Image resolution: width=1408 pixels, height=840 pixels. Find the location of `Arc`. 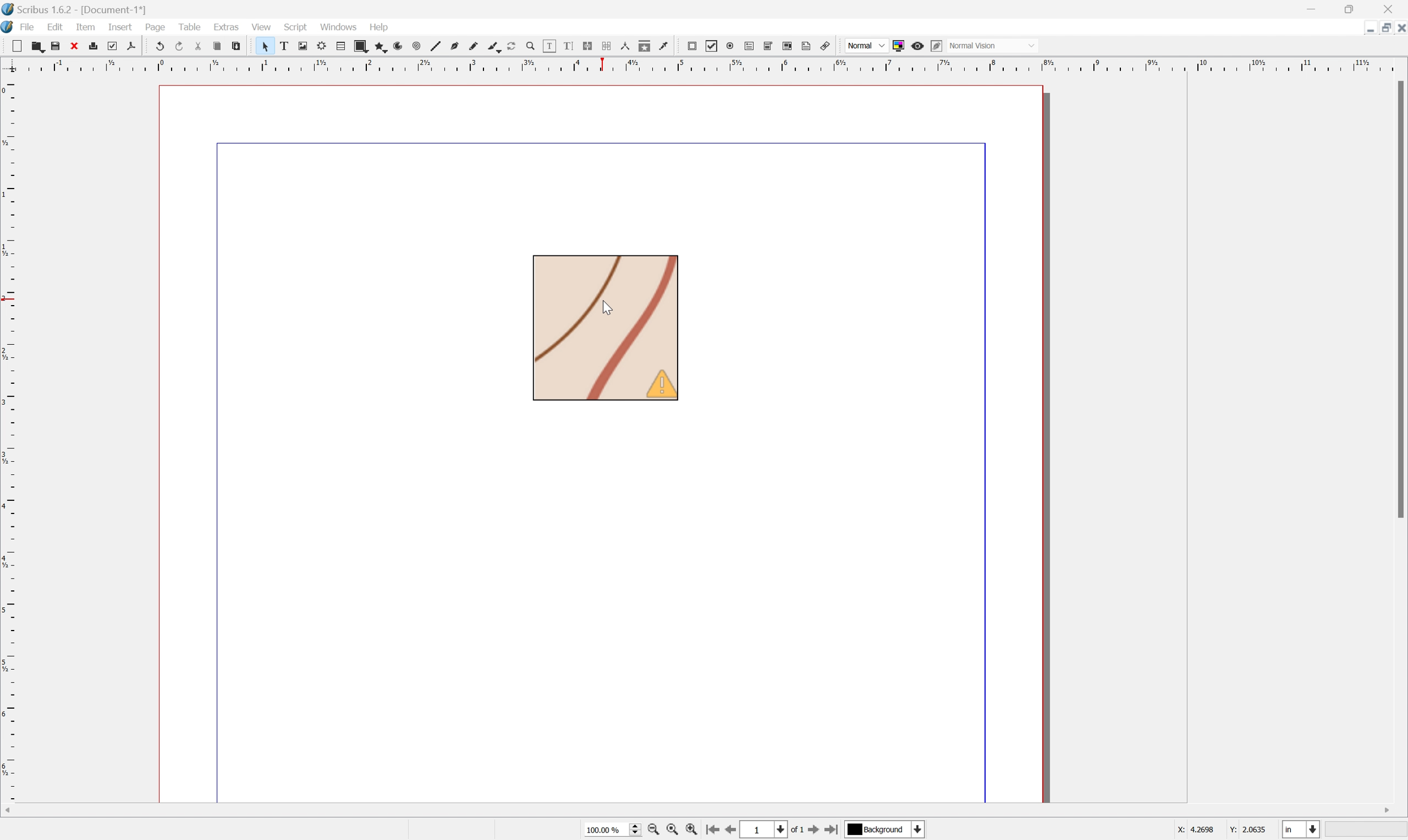

Arc is located at coordinates (403, 48).